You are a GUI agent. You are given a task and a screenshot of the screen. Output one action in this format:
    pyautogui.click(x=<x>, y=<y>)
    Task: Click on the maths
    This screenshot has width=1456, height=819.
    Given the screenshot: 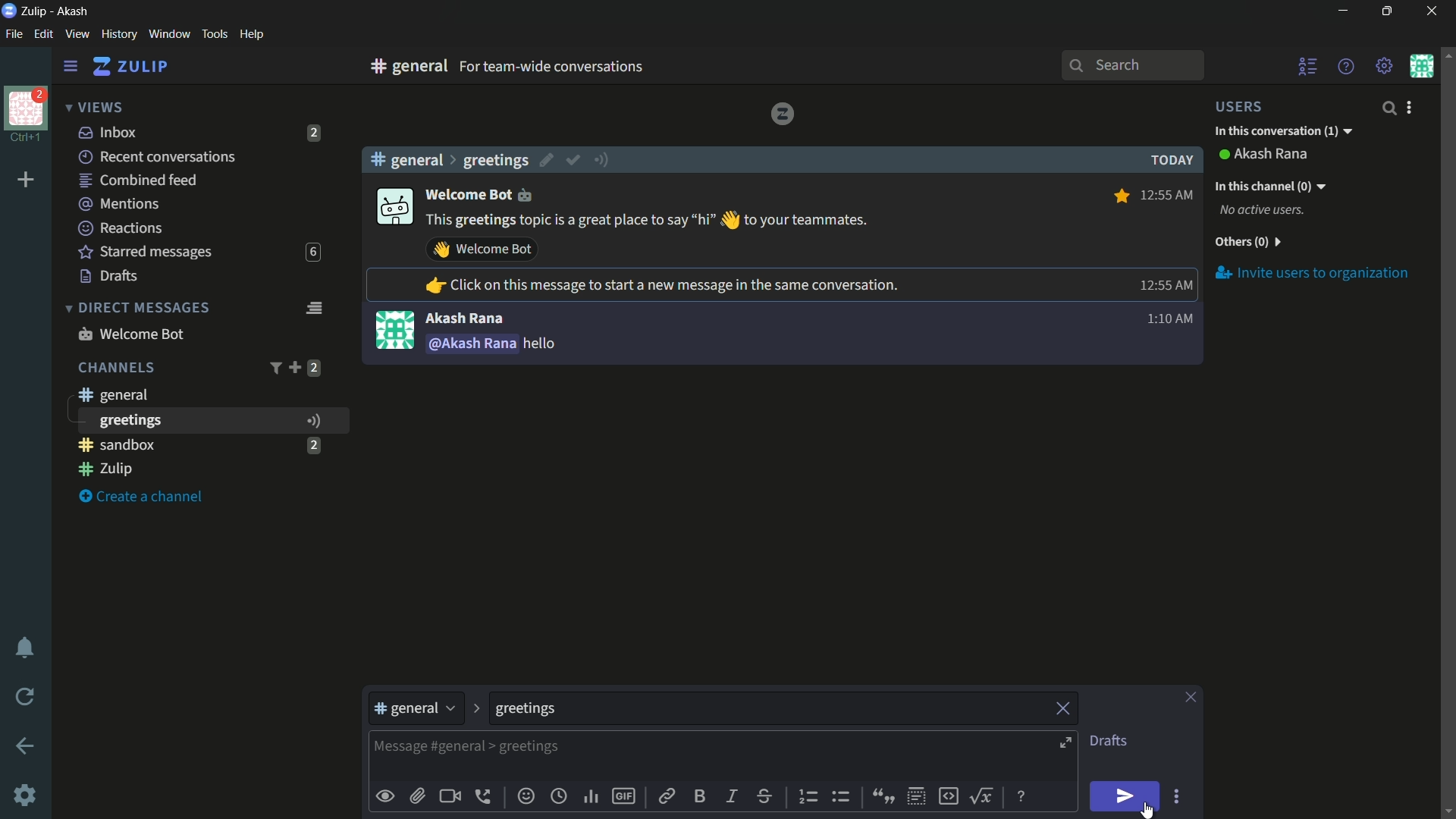 What is the action you would take?
    pyautogui.click(x=984, y=795)
    